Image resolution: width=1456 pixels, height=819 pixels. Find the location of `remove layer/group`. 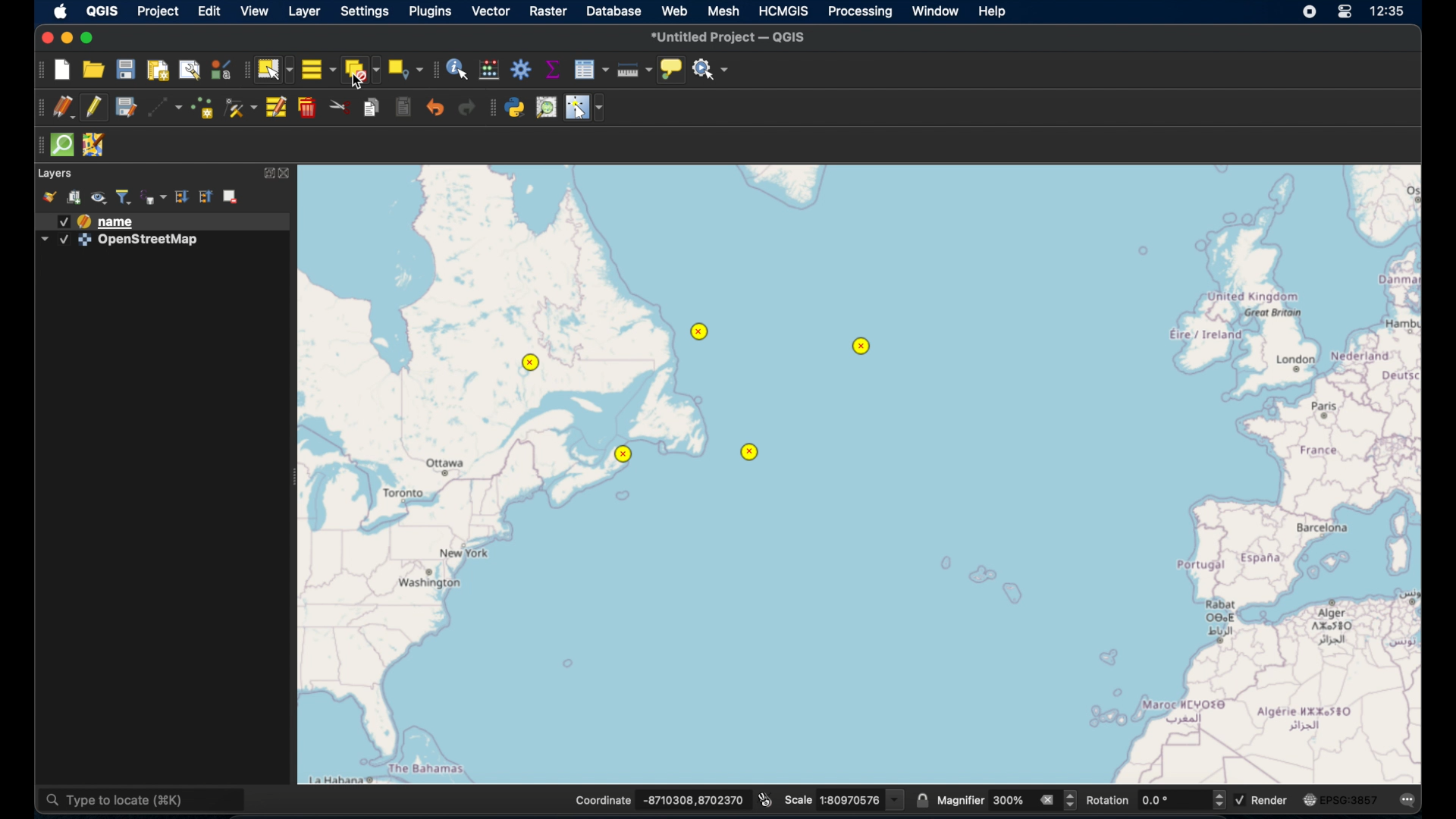

remove layer/group is located at coordinates (232, 195).